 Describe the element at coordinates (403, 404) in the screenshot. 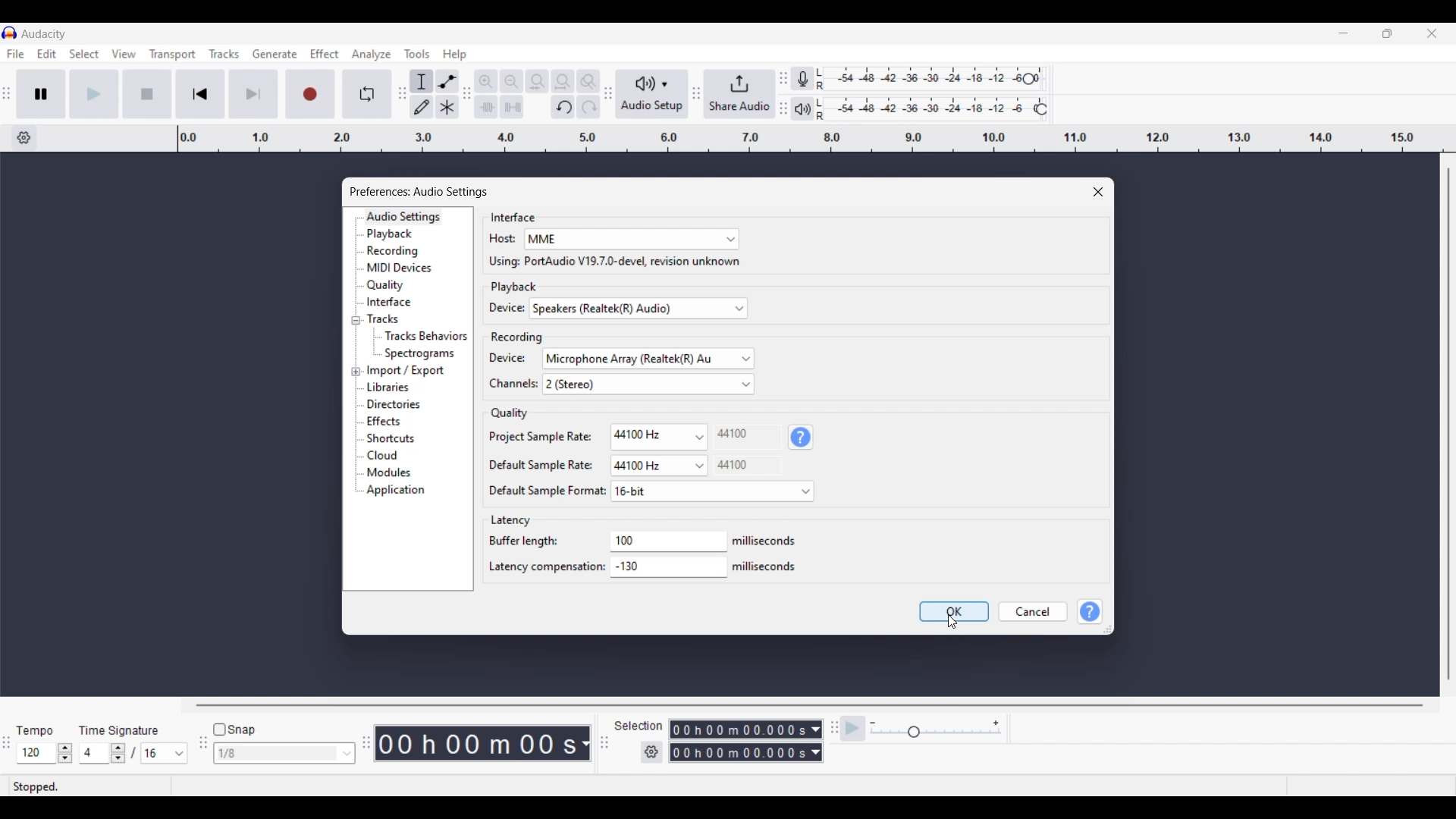

I see `Directories` at that location.